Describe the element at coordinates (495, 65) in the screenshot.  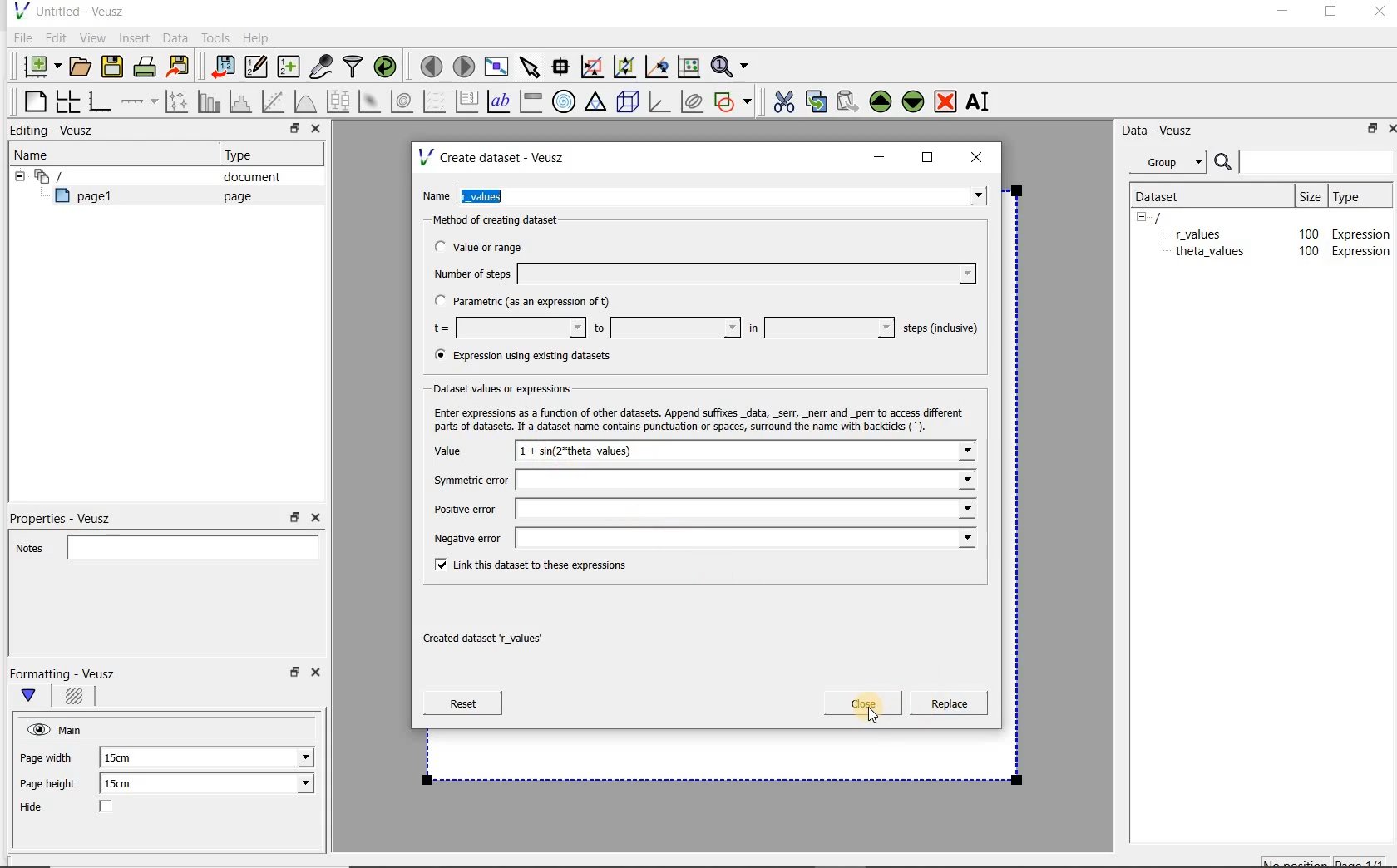
I see `view plot full screen` at that location.